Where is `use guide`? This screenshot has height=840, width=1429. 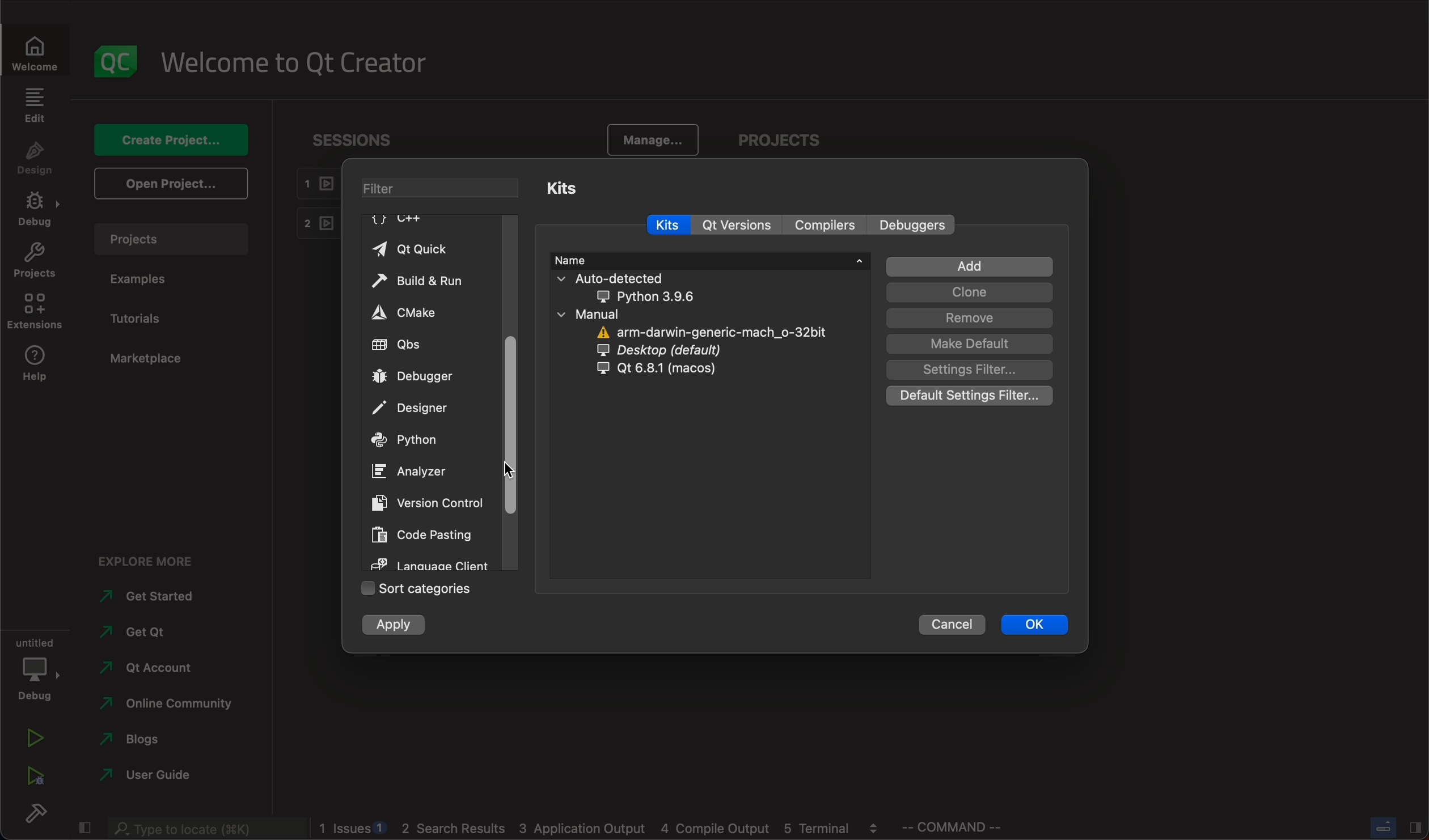
use guide is located at coordinates (148, 776).